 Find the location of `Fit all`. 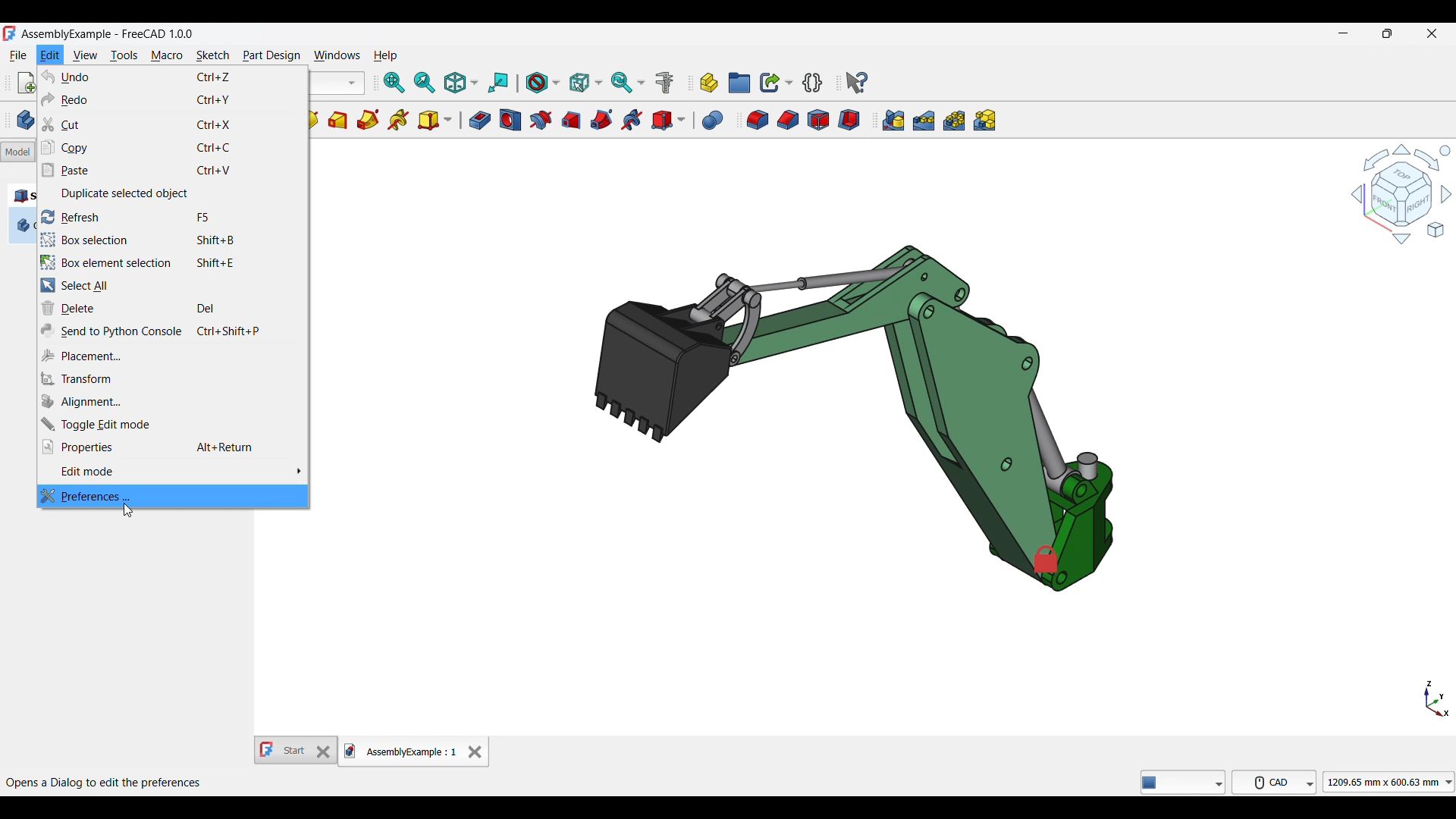

Fit all is located at coordinates (394, 83).